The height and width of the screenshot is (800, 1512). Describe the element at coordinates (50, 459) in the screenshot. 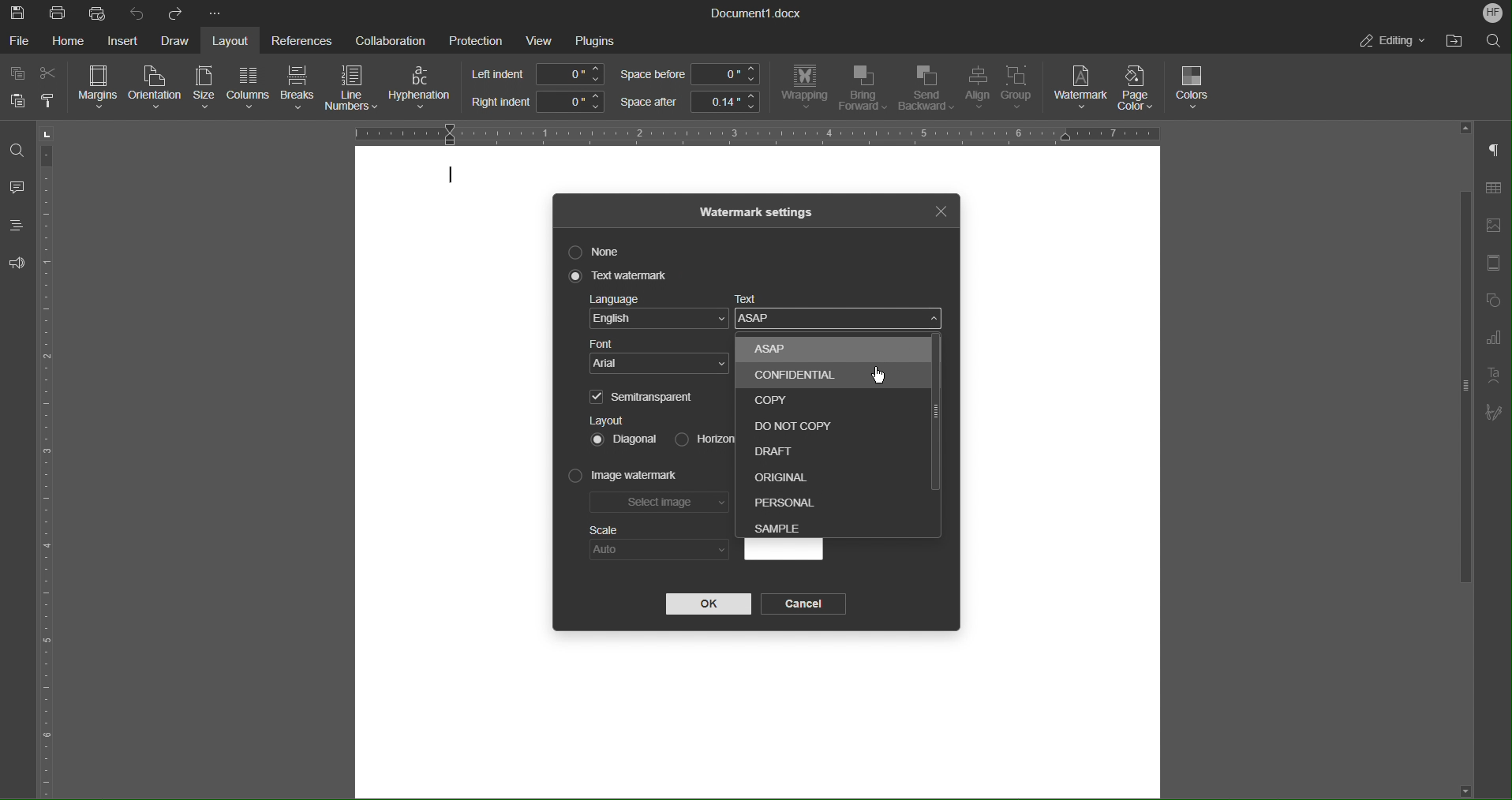

I see `Vertical Ruler` at that location.